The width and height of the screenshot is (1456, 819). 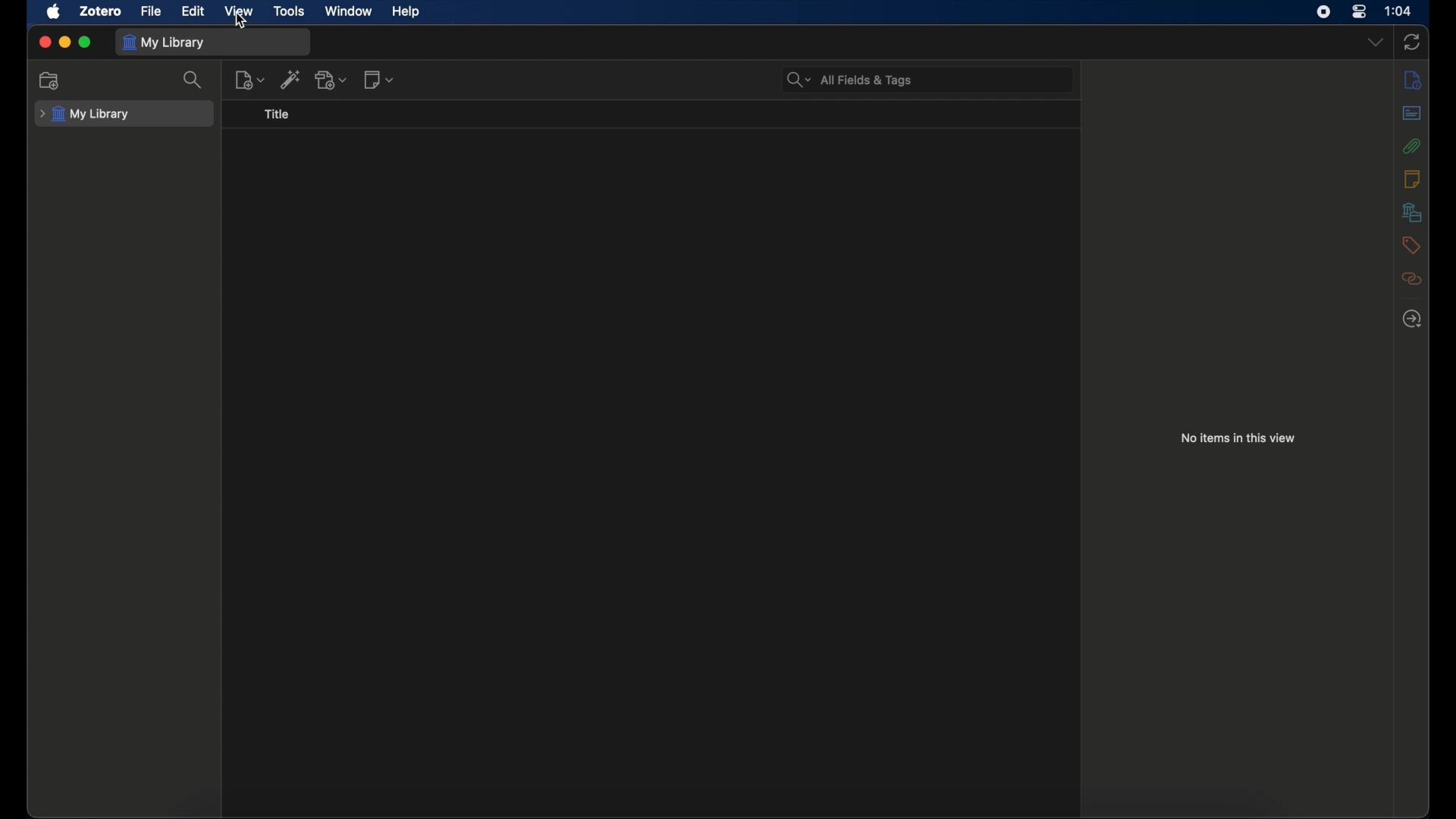 What do you see at coordinates (1411, 278) in the screenshot?
I see `related` at bounding box center [1411, 278].